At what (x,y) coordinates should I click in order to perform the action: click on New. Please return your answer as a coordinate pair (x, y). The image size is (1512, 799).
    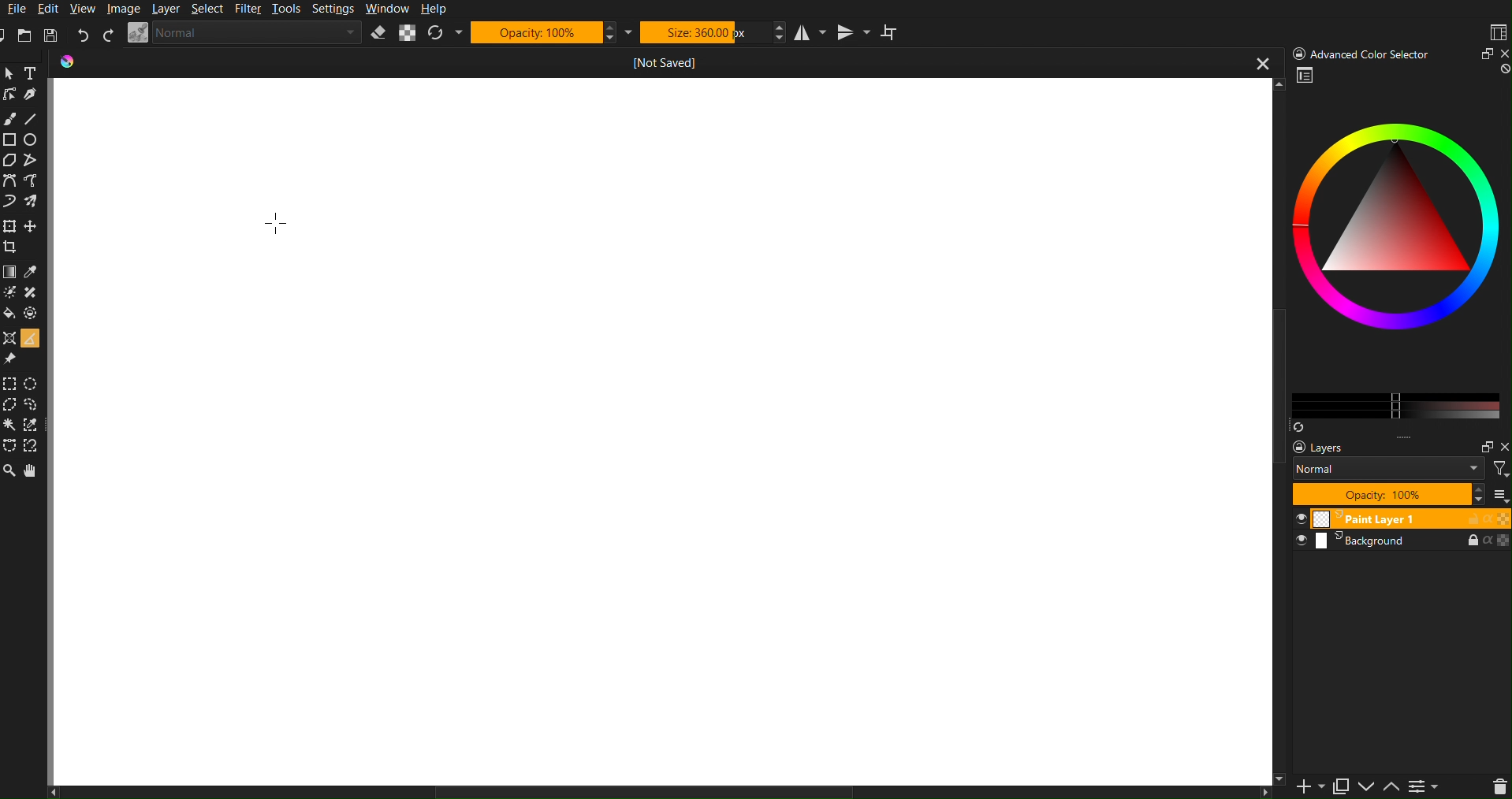
    Looking at the image, I should click on (1305, 786).